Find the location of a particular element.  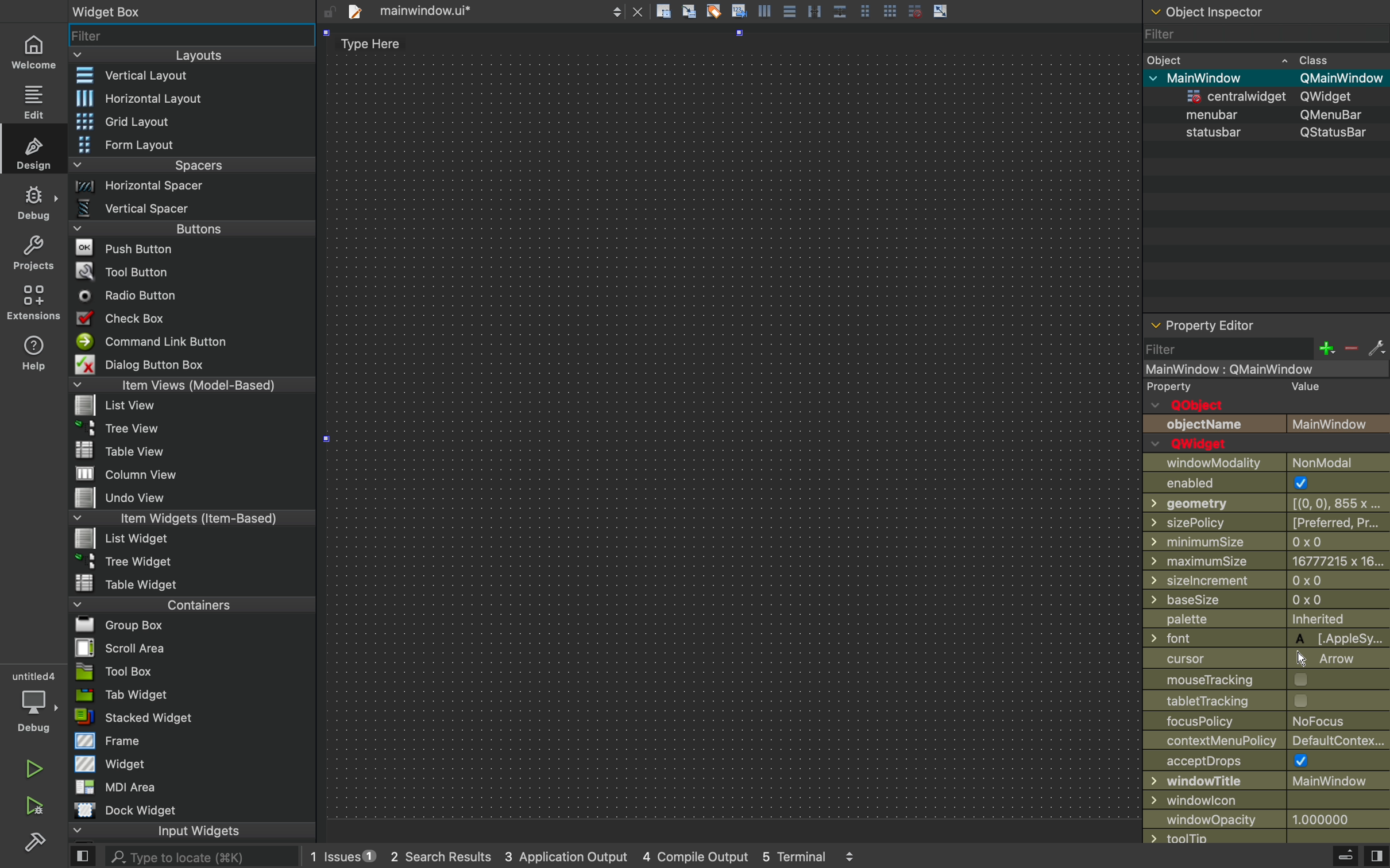

item views is located at coordinates (187, 385).